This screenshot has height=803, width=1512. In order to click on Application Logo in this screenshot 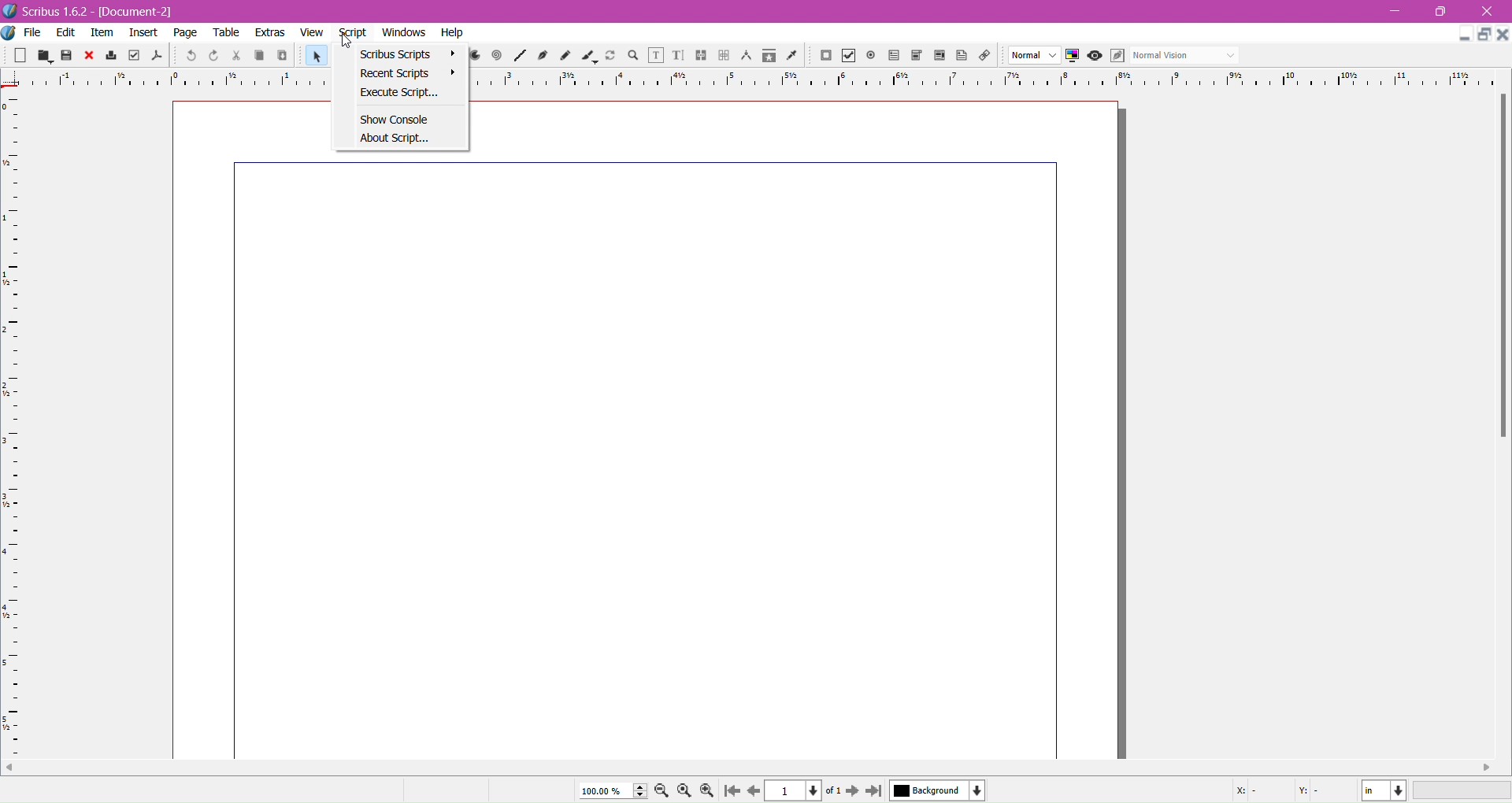, I will do `click(9, 12)`.